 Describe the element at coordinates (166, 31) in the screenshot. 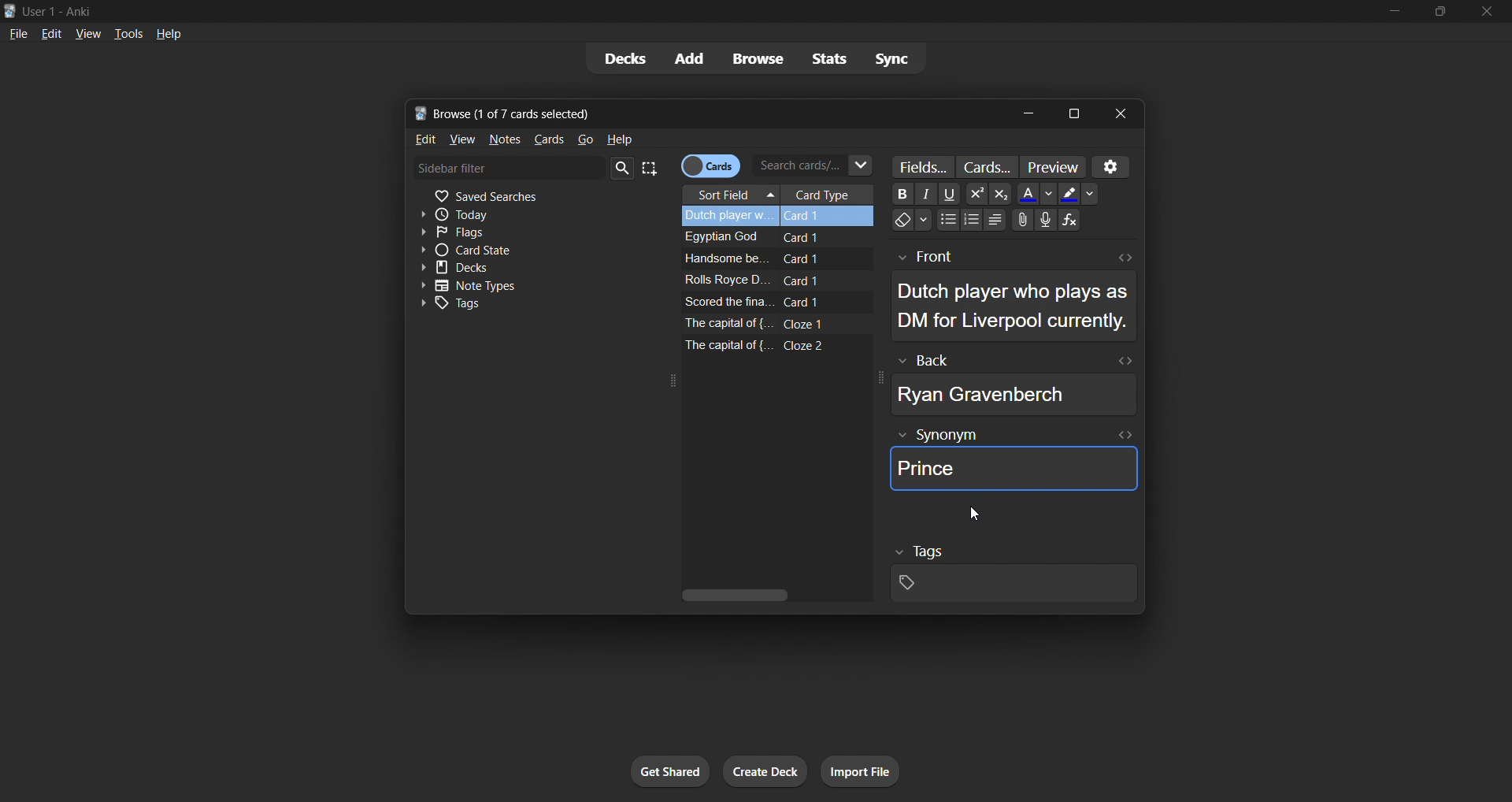

I see `help` at that location.